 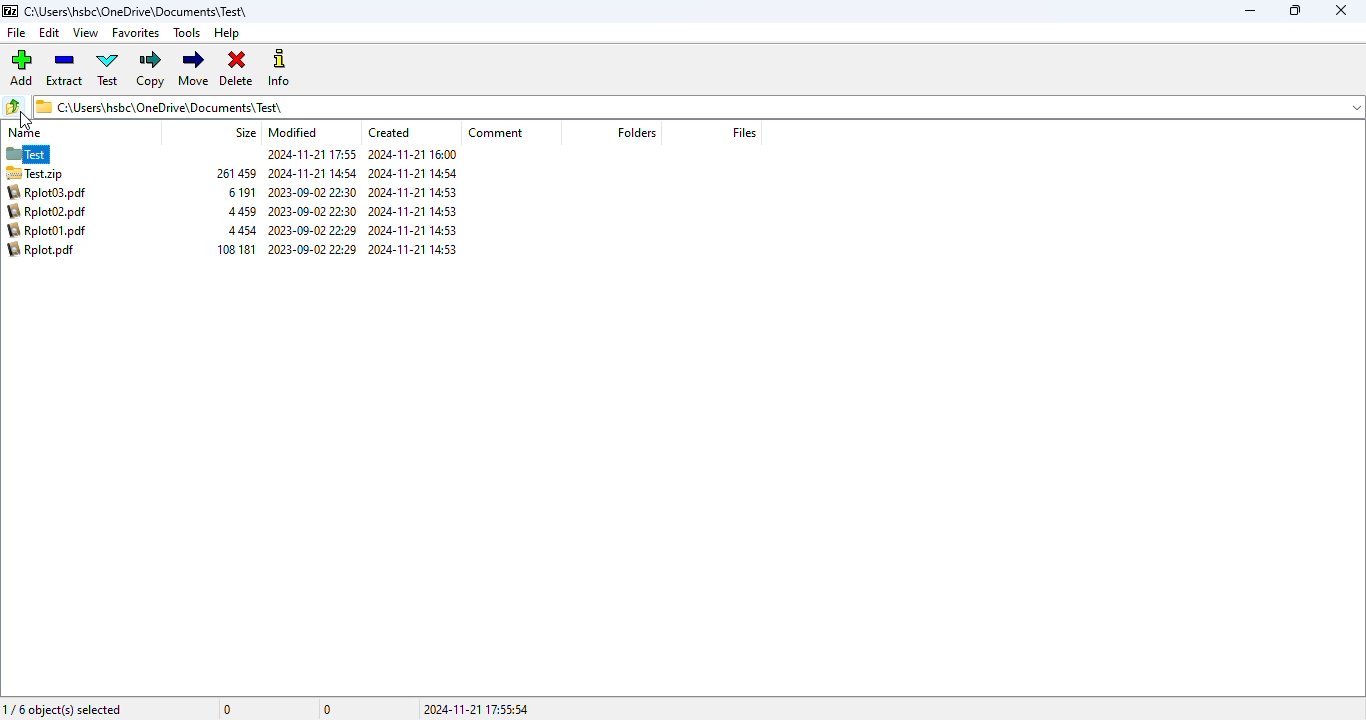 What do you see at coordinates (135, 33) in the screenshot?
I see `favorites` at bounding box center [135, 33].